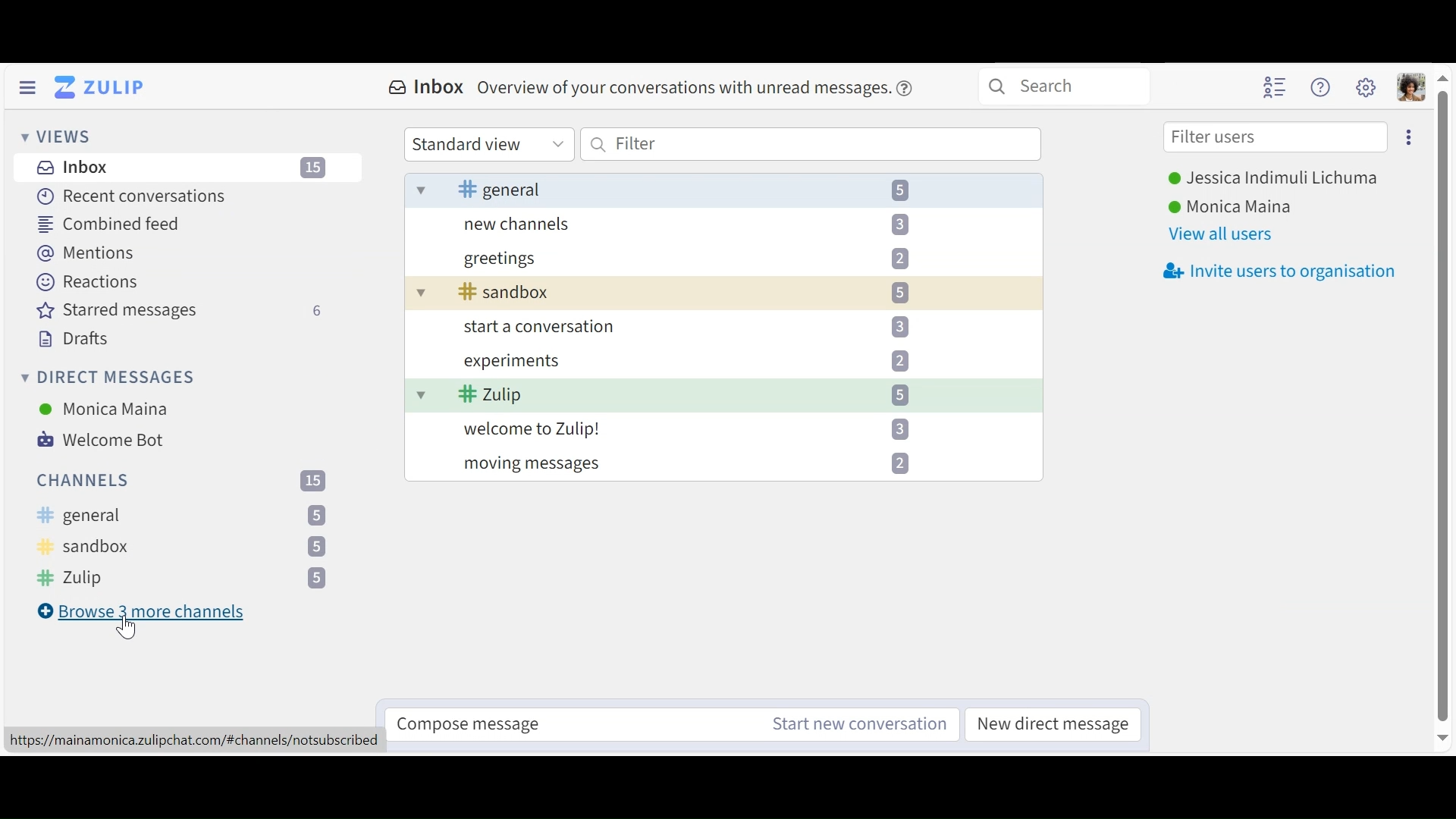 The width and height of the screenshot is (1456, 819). What do you see at coordinates (1443, 407) in the screenshot?
I see `Vertical scrollbar` at bounding box center [1443, 407].